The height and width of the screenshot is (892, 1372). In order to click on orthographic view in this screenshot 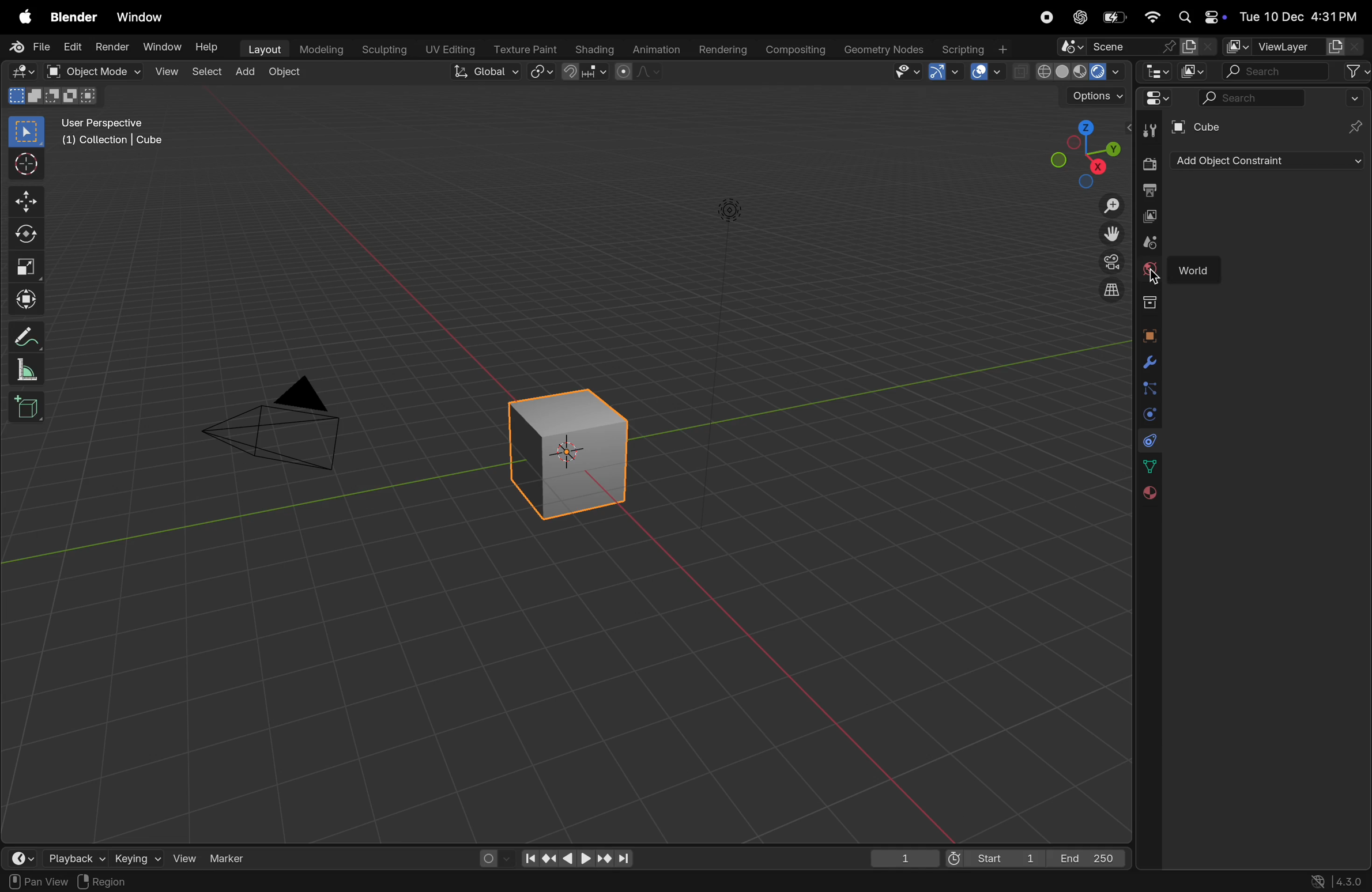, I will do `click(1105, 290)`.